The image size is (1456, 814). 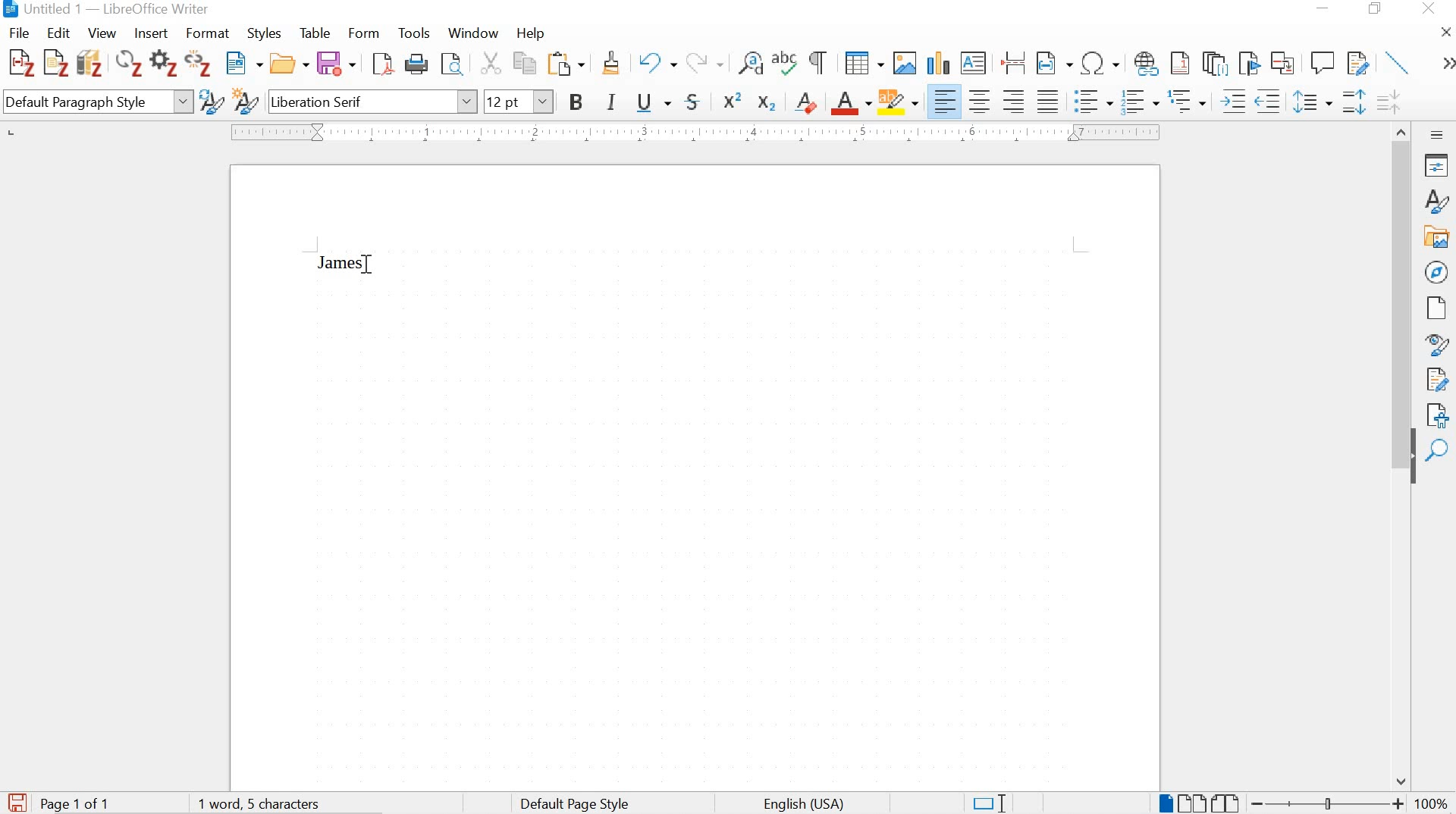 What do you see at coordinates (1227, 803) in the screenshot?
I see `book view` at bounding box center [1227, 803].